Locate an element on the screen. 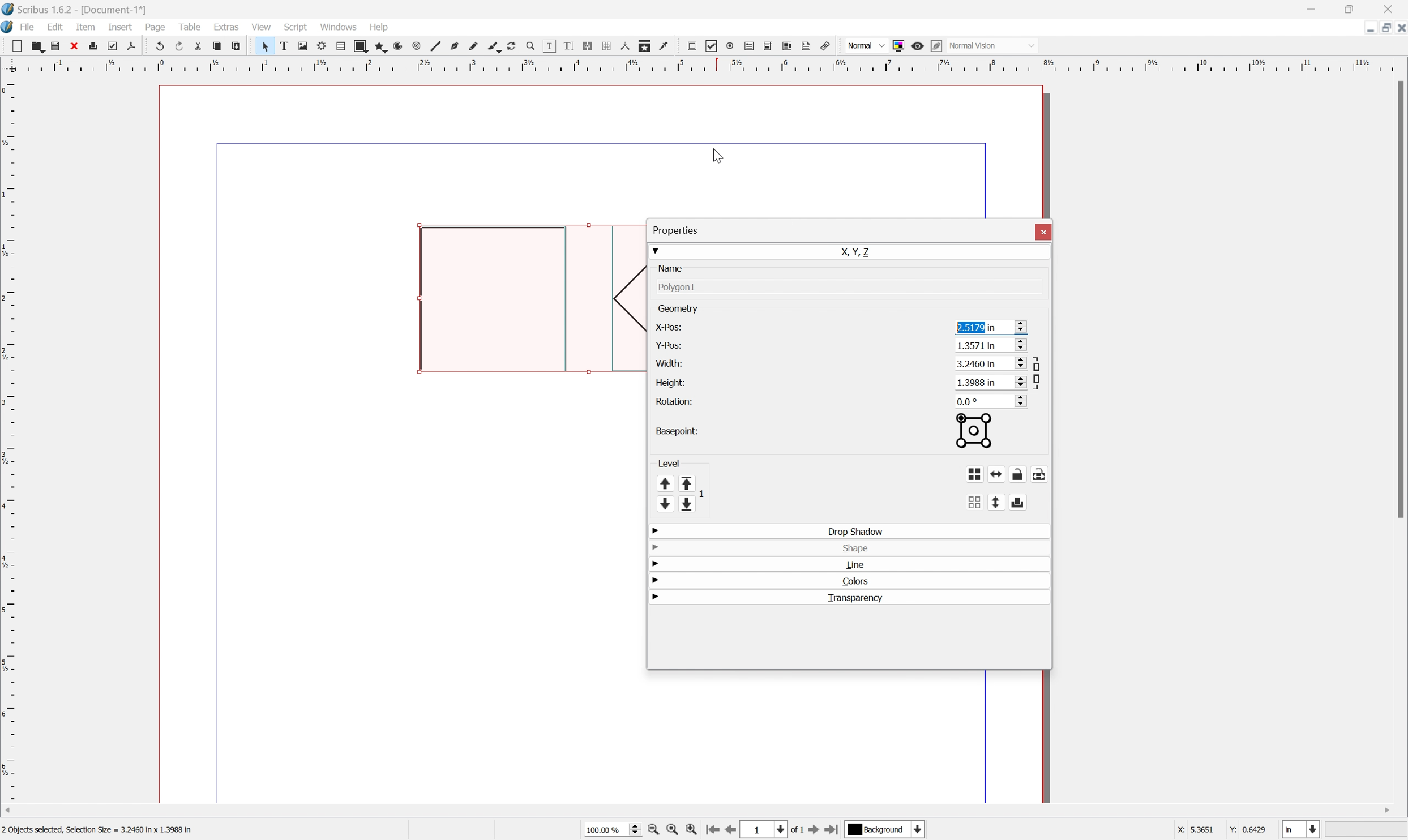 This screenshot has width=1408, height=840. windows is located at coordinates (341, 27).